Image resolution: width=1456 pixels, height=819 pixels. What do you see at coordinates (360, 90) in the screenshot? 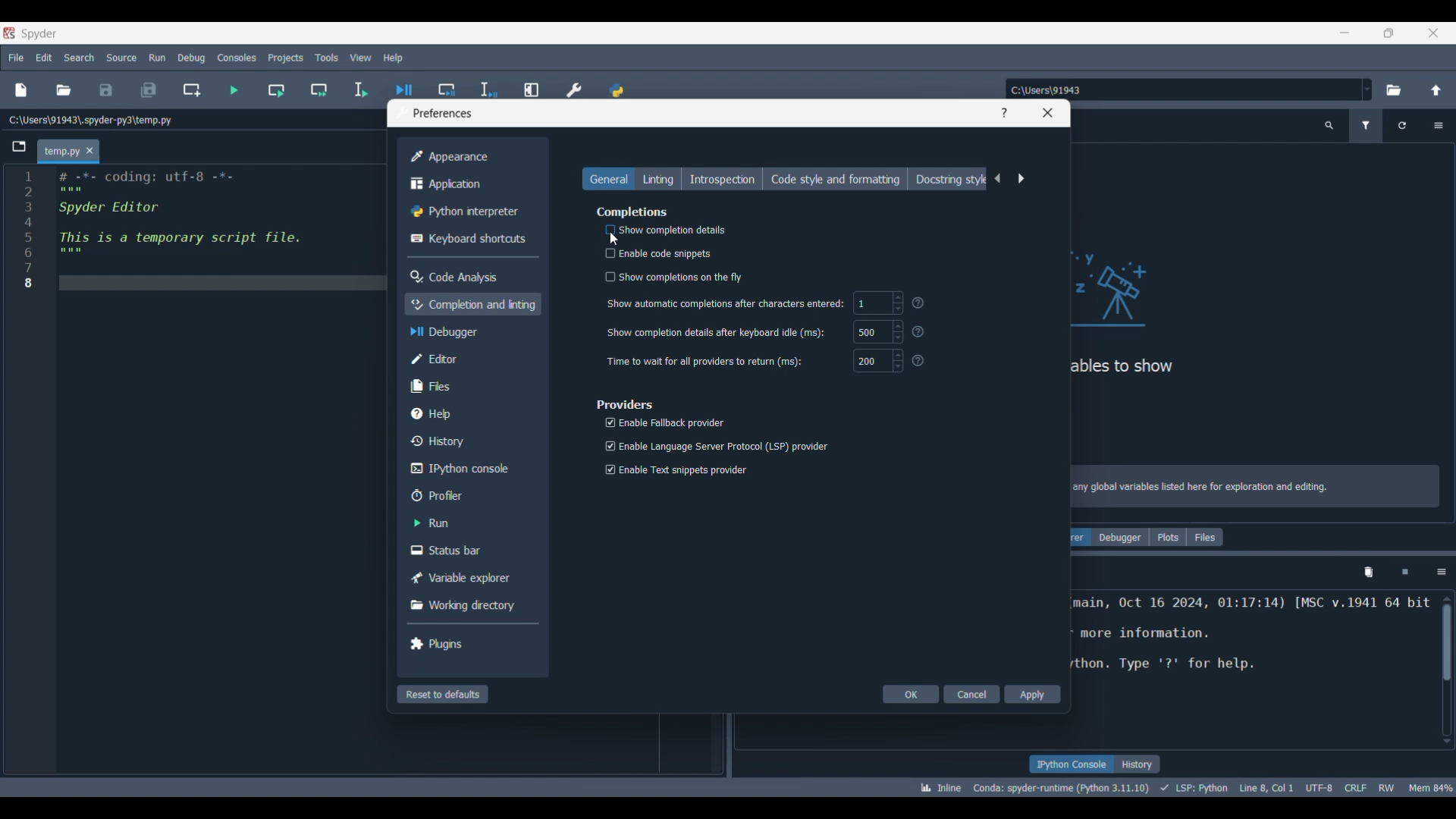
I see `Run selection/current line` at bounding box center [360, 90].